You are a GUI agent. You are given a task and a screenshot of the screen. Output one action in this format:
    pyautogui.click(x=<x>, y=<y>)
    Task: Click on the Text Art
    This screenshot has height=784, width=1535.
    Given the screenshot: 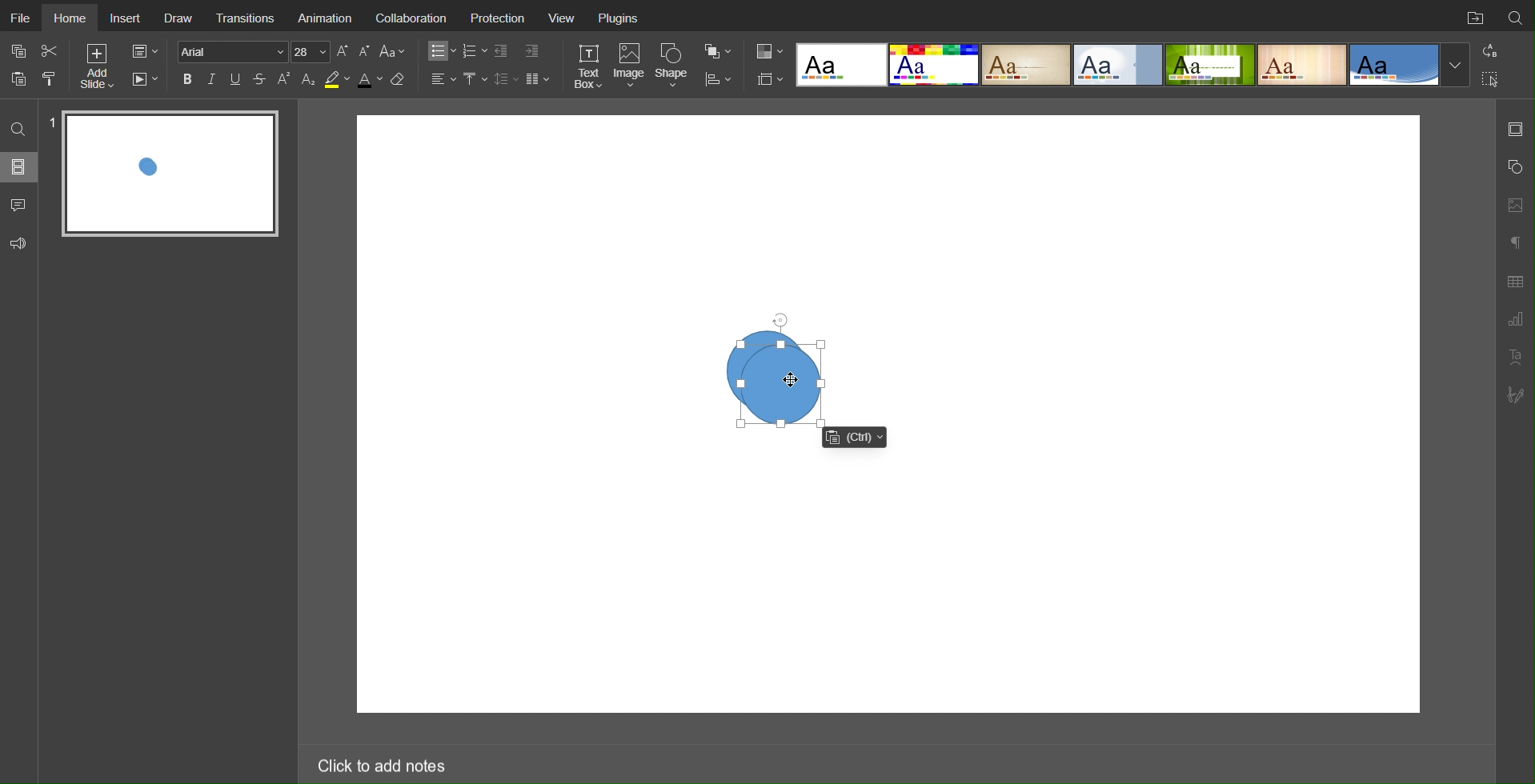 What is the action you would take?
    pyautogui.click(x=1515, y=357)
    